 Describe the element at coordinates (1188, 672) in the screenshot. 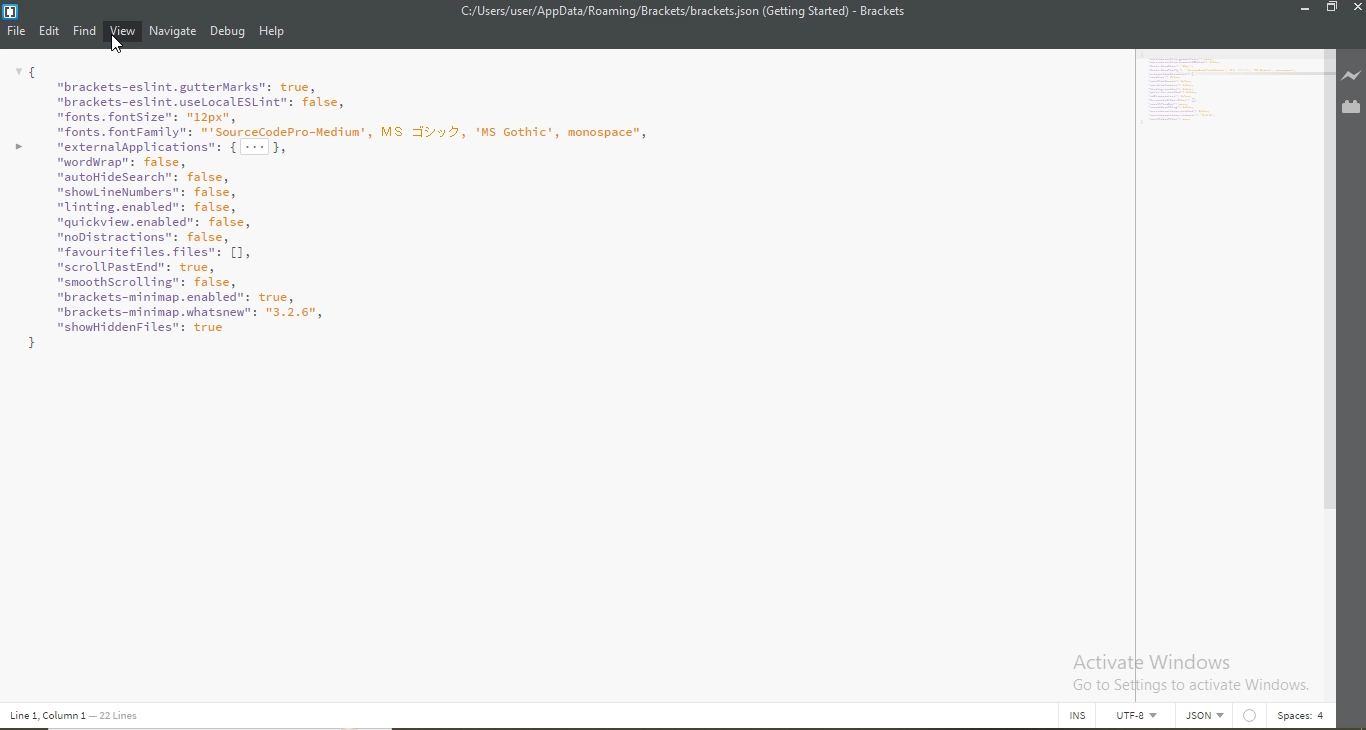

I see `Activate Windows` at that location.